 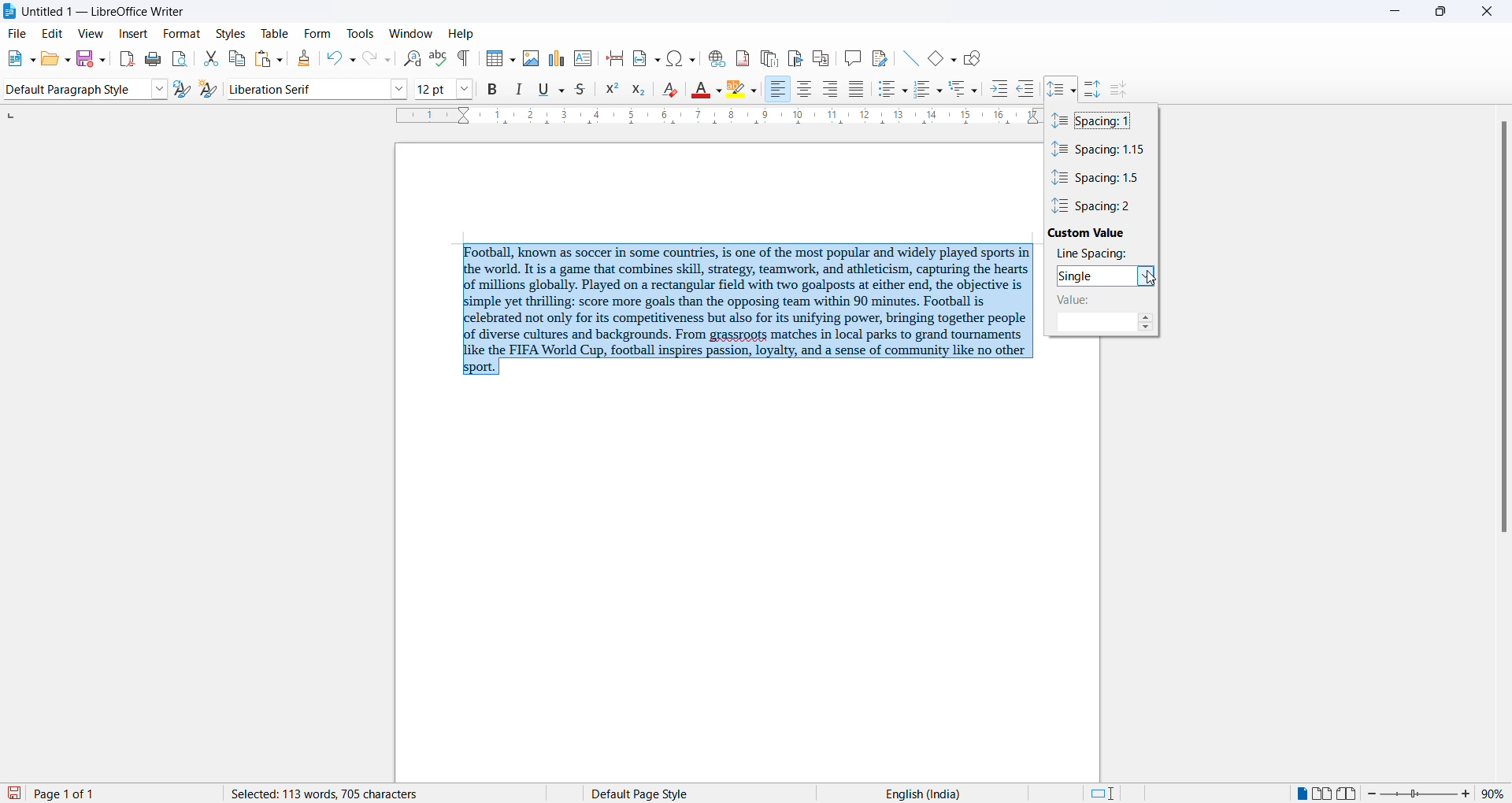 What do you see at coordinates (1144, 328) in the screenshot?
I see `decrease line spacing` at bounding box center [1144, 328].